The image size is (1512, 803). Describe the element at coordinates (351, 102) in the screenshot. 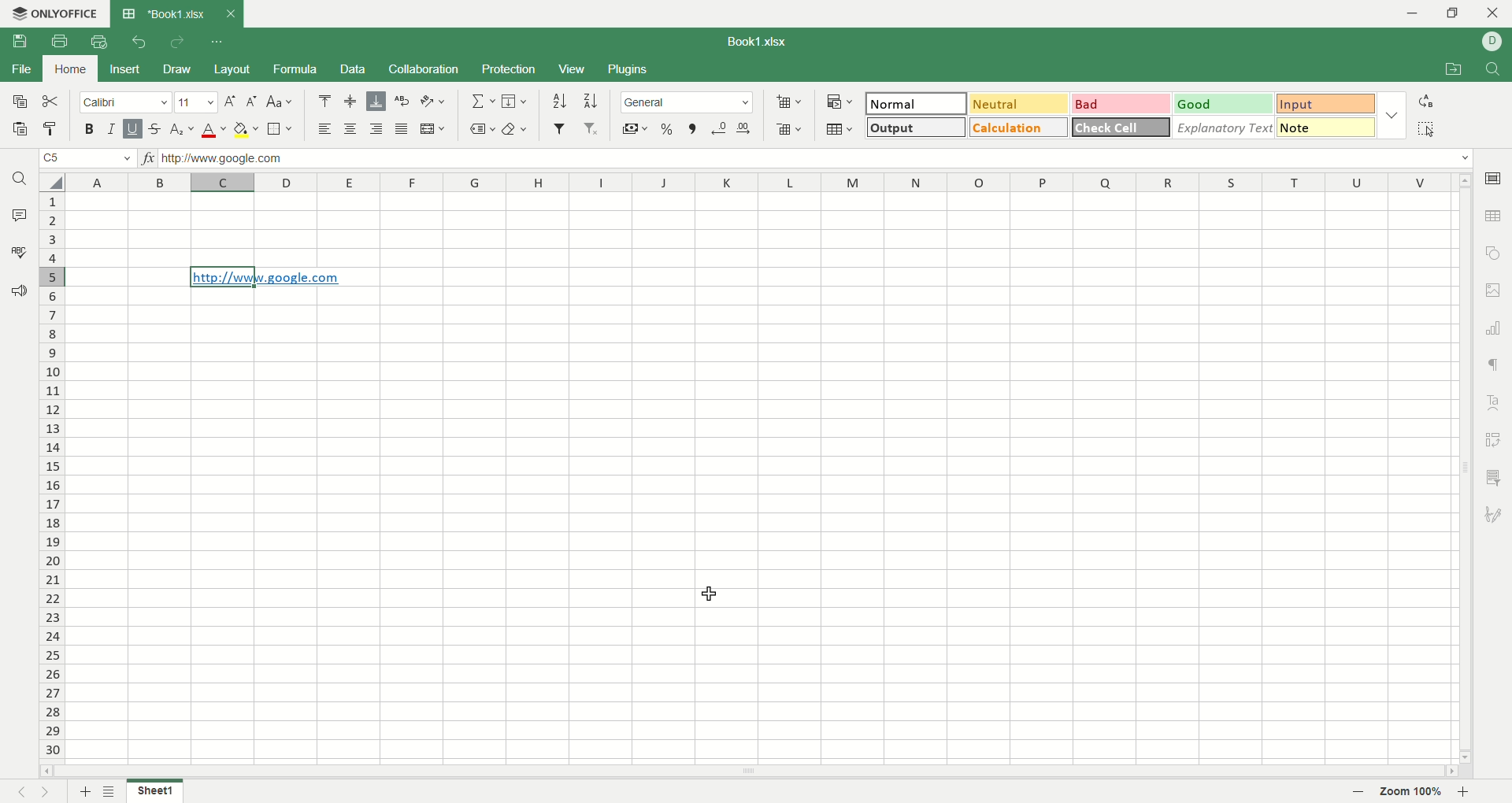

I see `align center` at that location.